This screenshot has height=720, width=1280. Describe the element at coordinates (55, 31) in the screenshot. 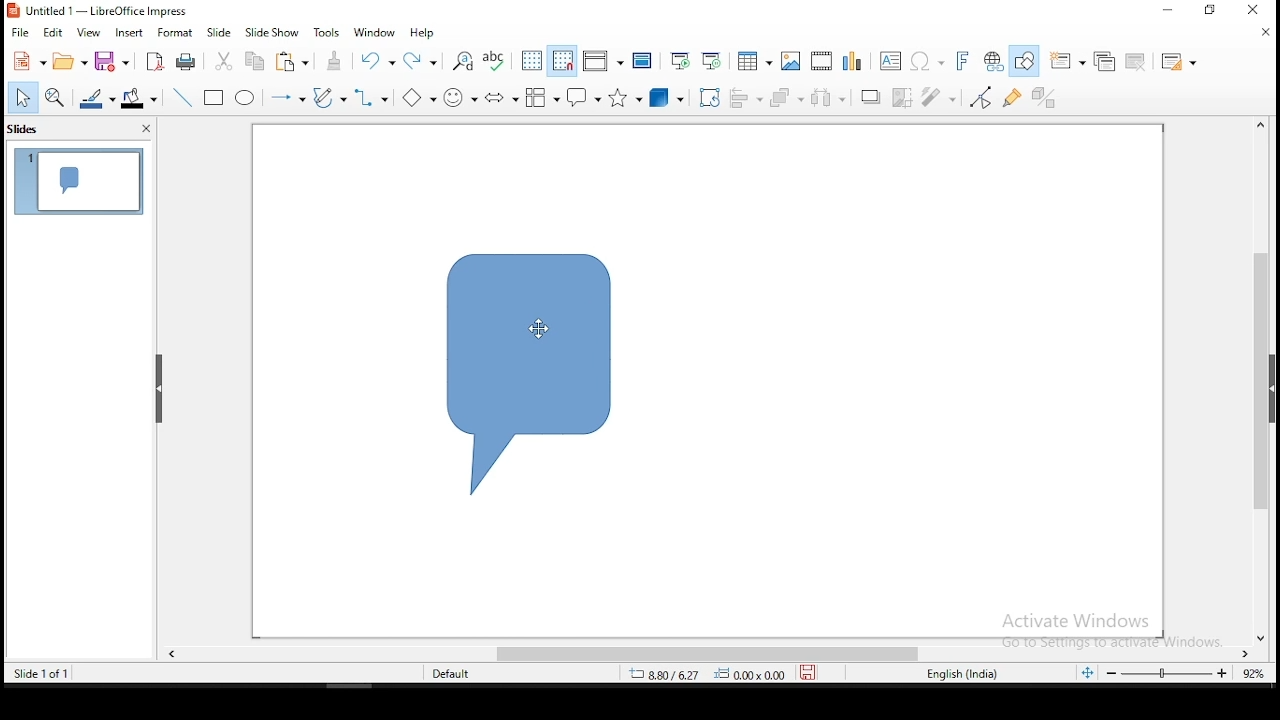

I see `edit` at that location.